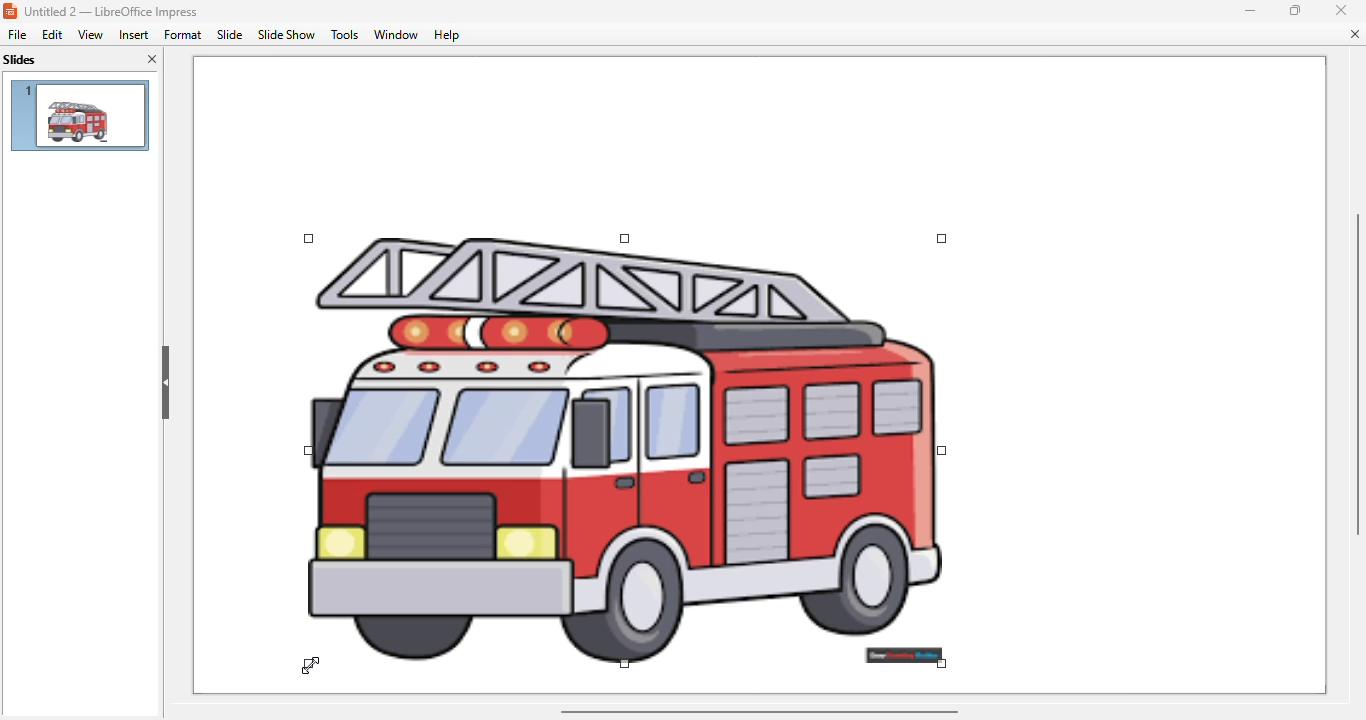 The image size is (1366, 720). Describe the element at coordinates (941, 238) in the screenshot. I see `corner handles` at that location.